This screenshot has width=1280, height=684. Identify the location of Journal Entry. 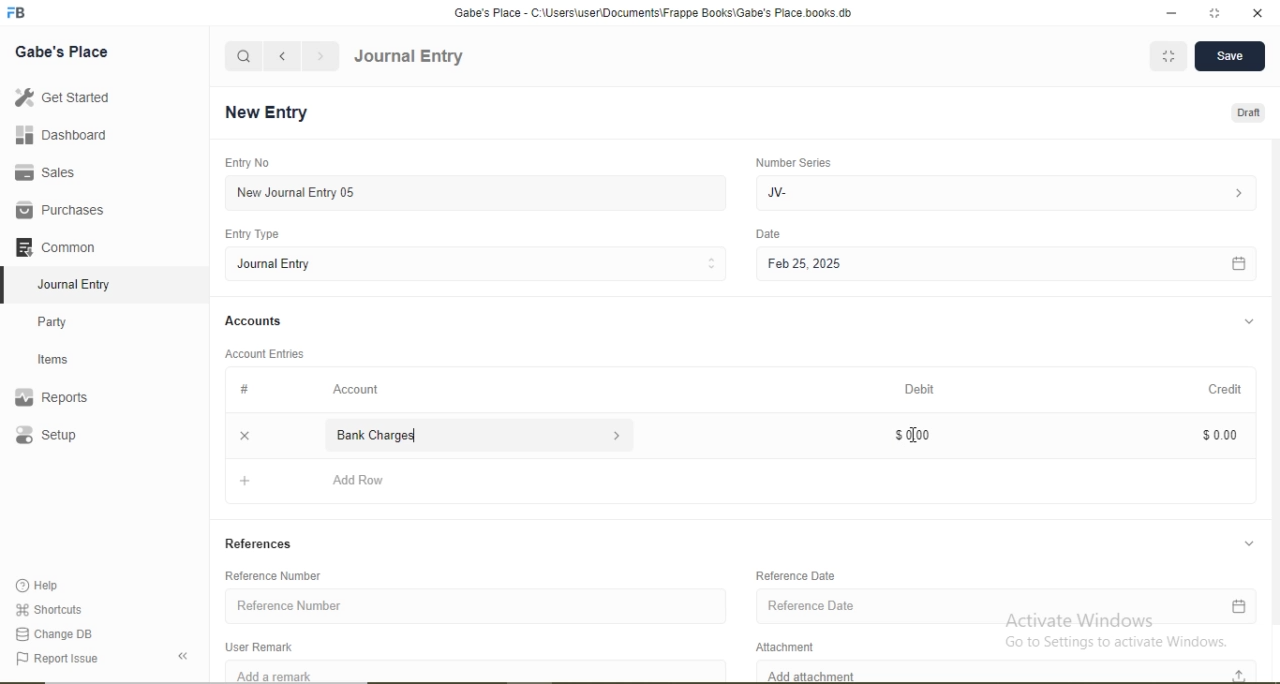
(478, 263).